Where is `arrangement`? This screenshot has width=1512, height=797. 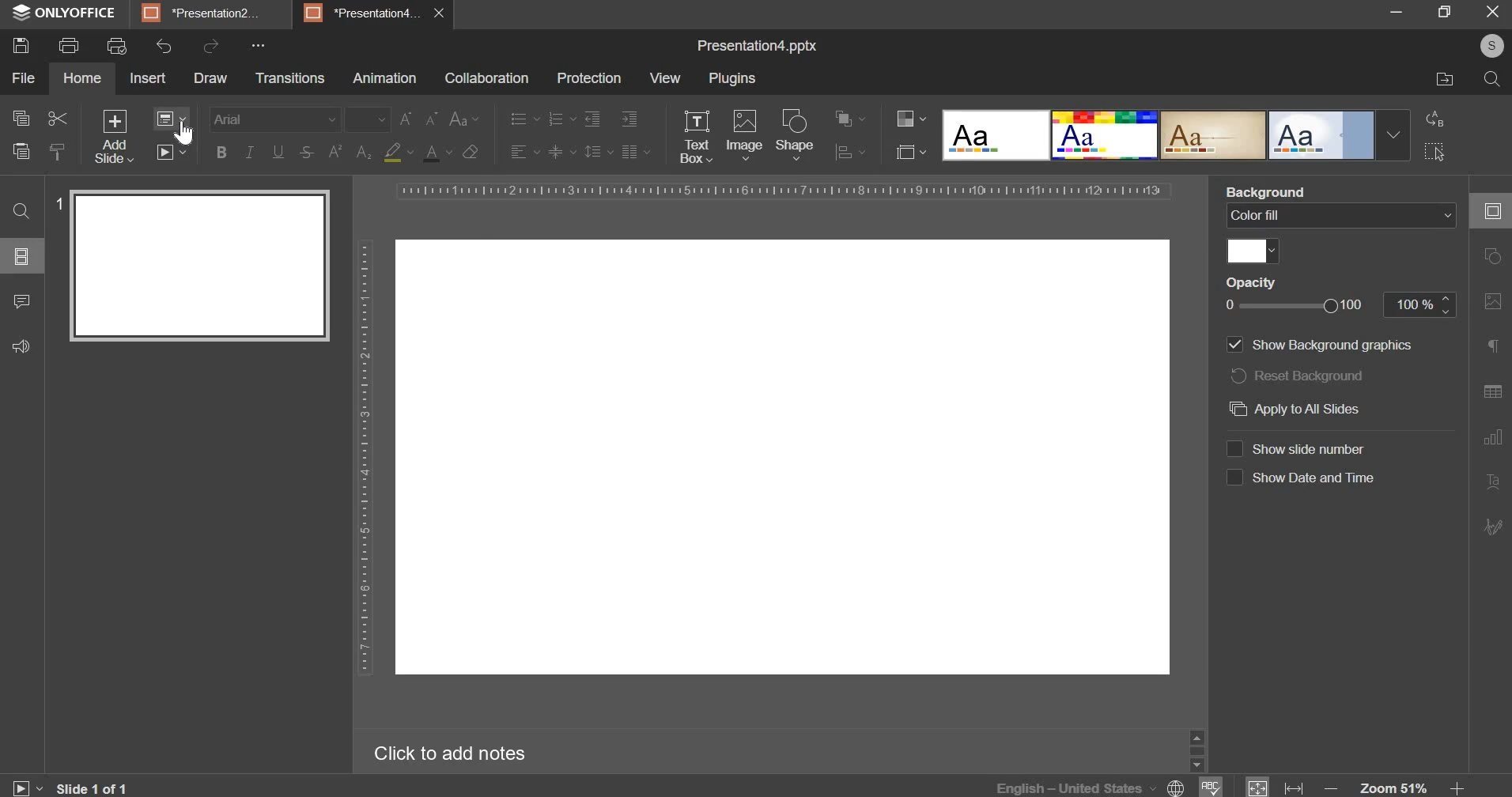
arrangement is located at coordinates (845, 116).